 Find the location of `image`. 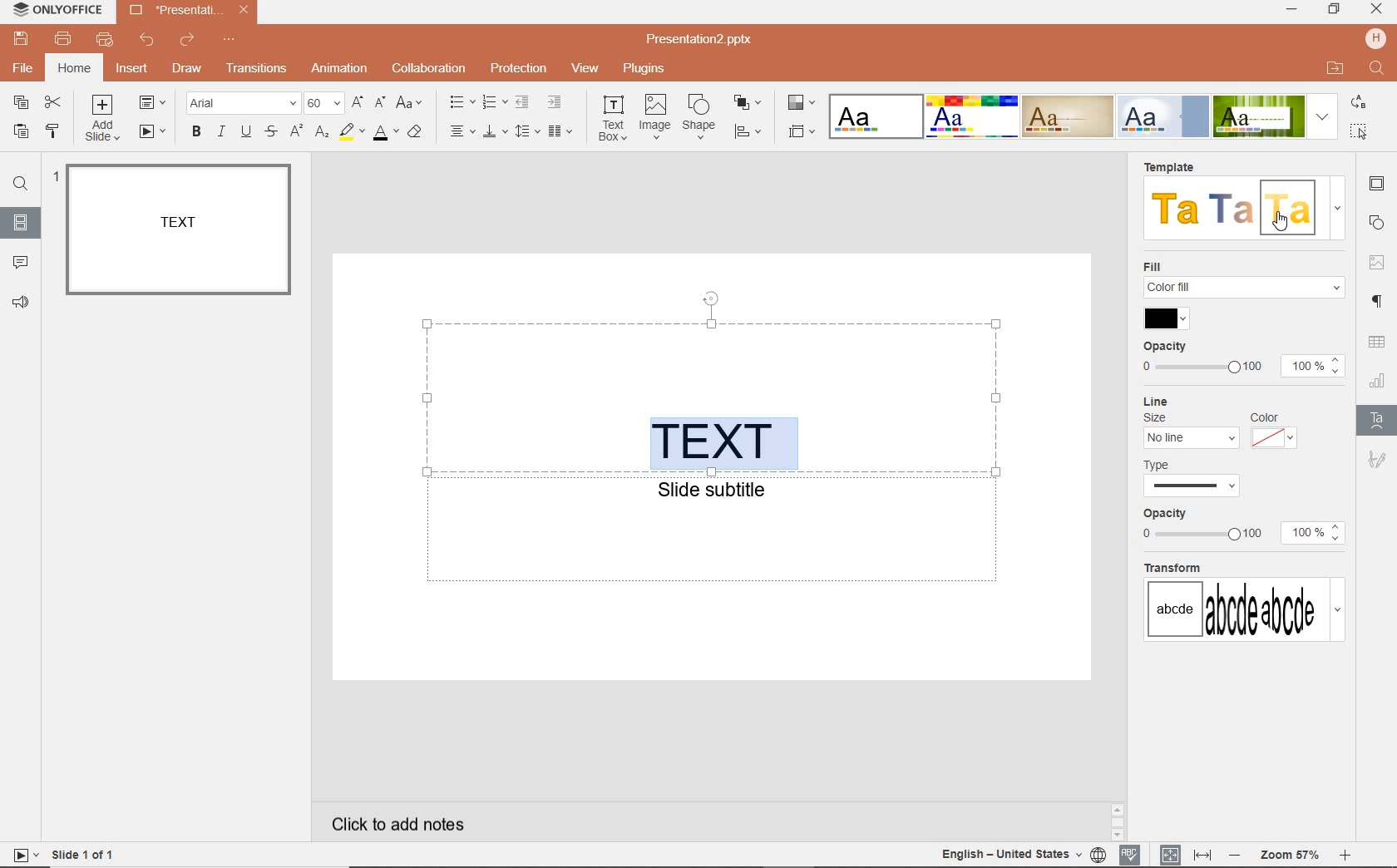

image is located at coordinates (655, 117).